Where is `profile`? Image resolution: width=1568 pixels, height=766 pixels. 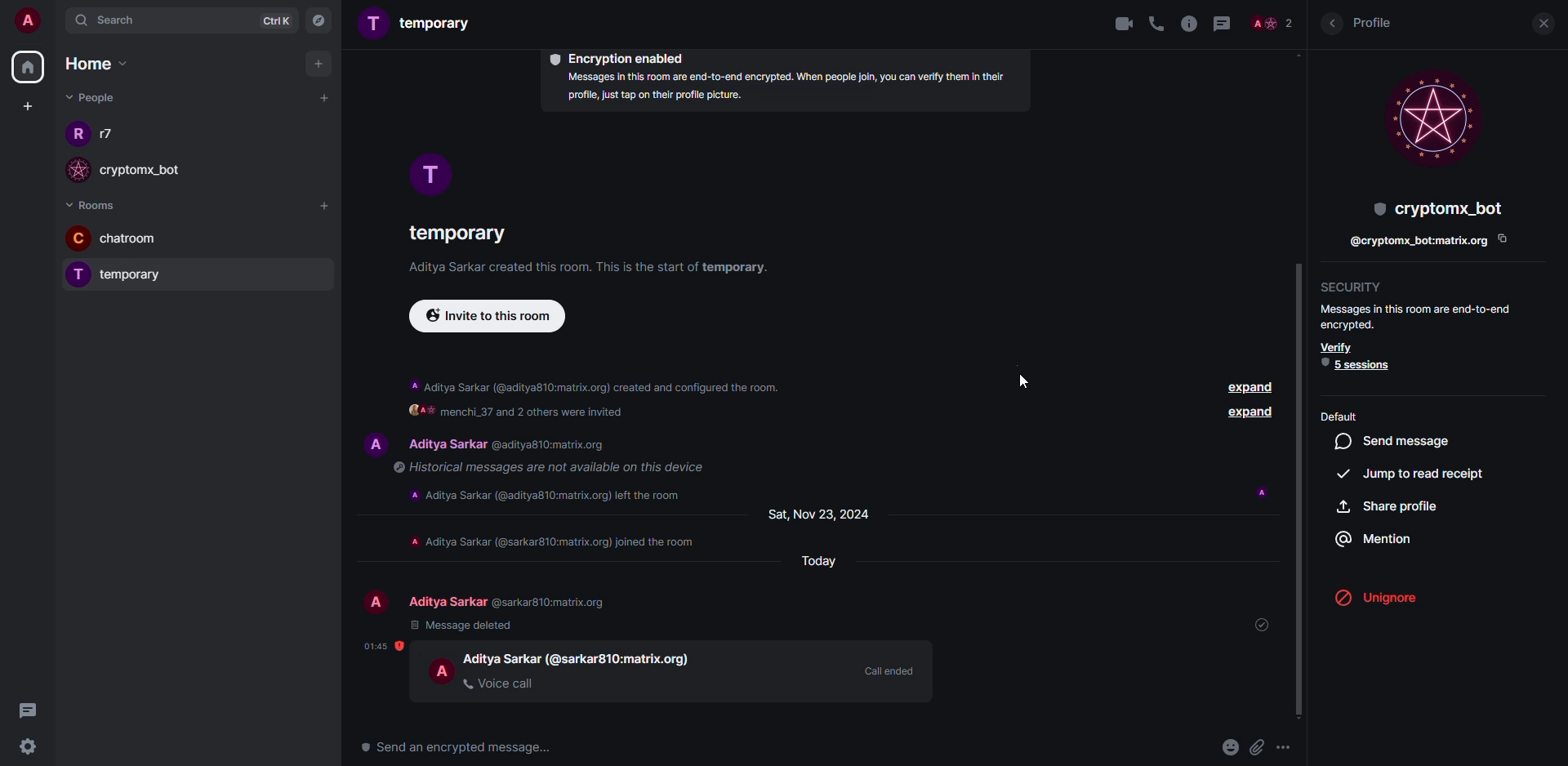
profile is located at coordinates (74, 137).